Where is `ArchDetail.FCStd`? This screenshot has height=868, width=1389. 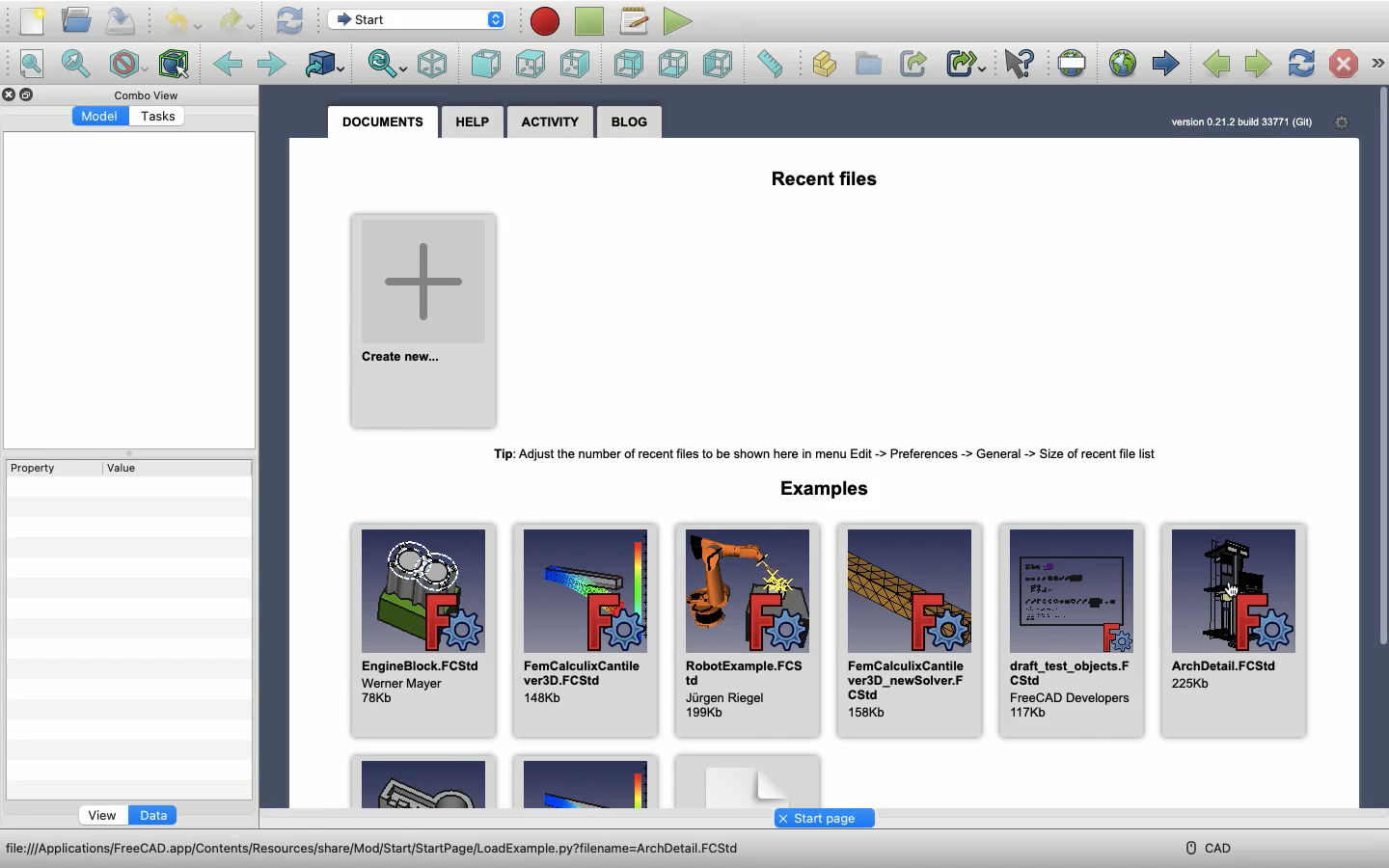 ArchDetail.FCStd is located at coordinates (1232, 633).